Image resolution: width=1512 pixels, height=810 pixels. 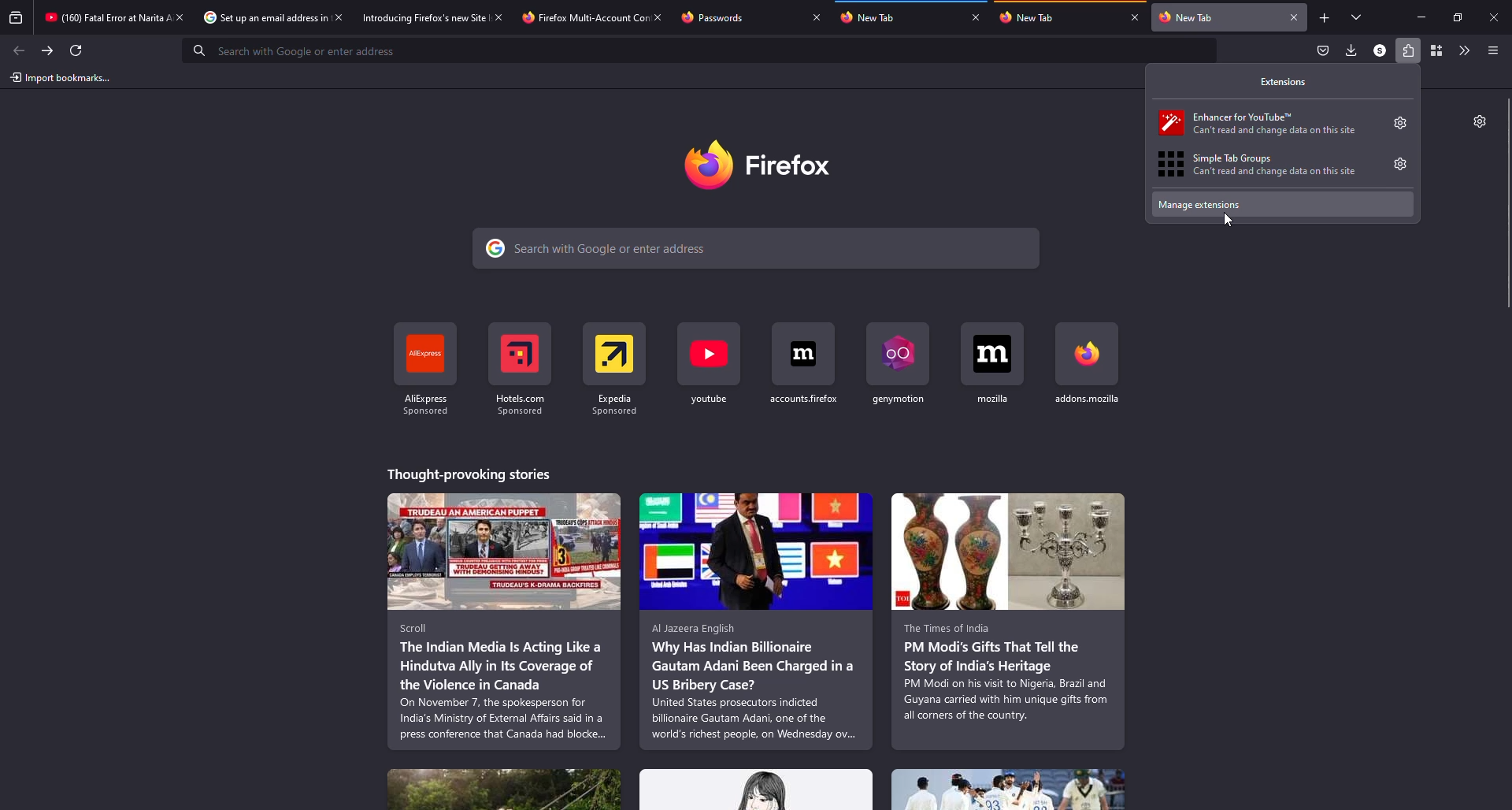 What do you see at coordinates (757, 168) in the screenshot?
I see `firefox` at bounding box center [757, 168].